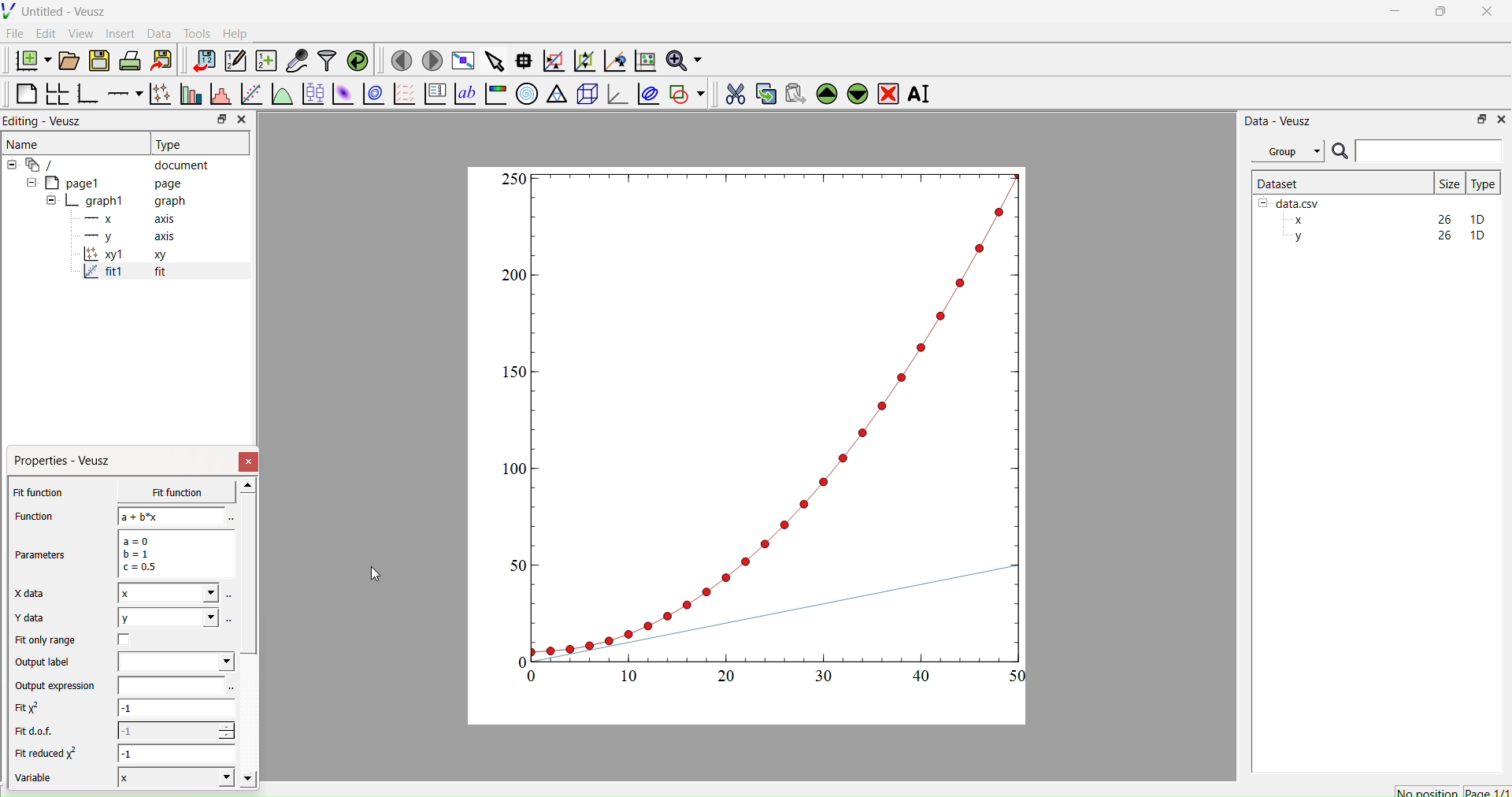 The width and height of the screenshot is (1512, 797). Describe the element at coordinates (435, 94) in the screenshot. I see `Plot Key` at that location.